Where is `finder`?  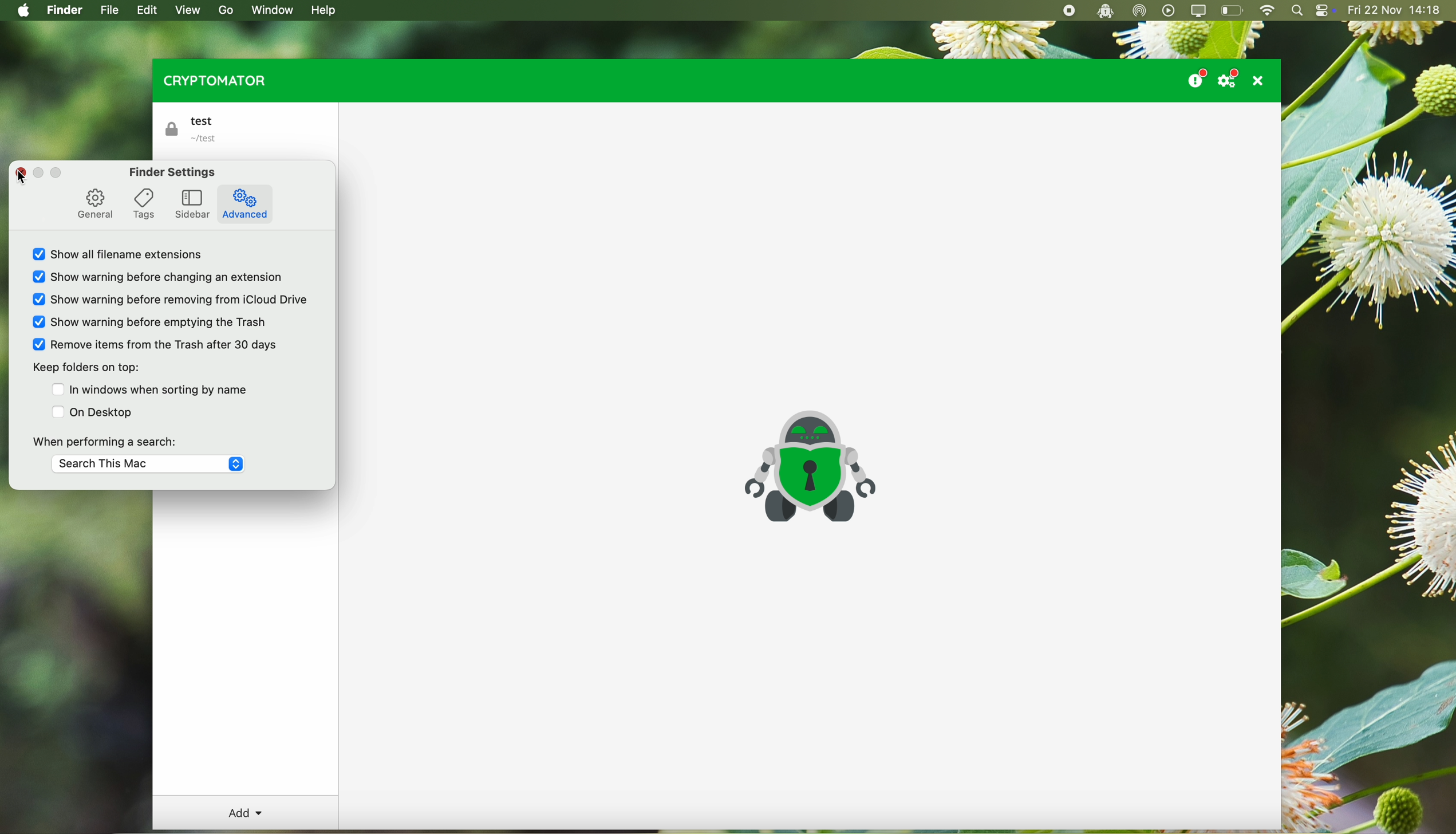
finder is located at coordinates (66, 11).